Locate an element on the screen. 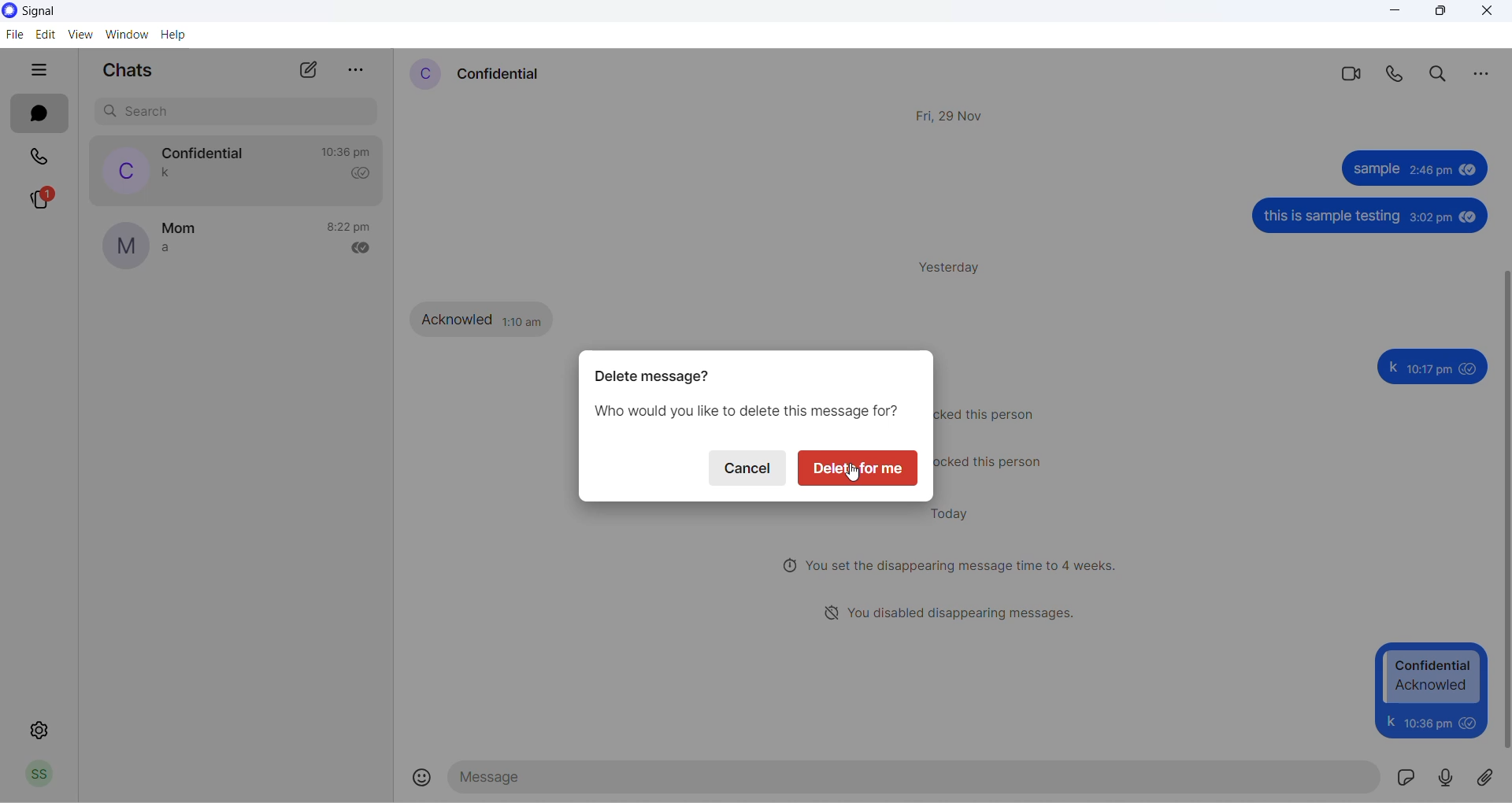 The image size is (1512, 803). seen is located at coordinates (1469, 368).